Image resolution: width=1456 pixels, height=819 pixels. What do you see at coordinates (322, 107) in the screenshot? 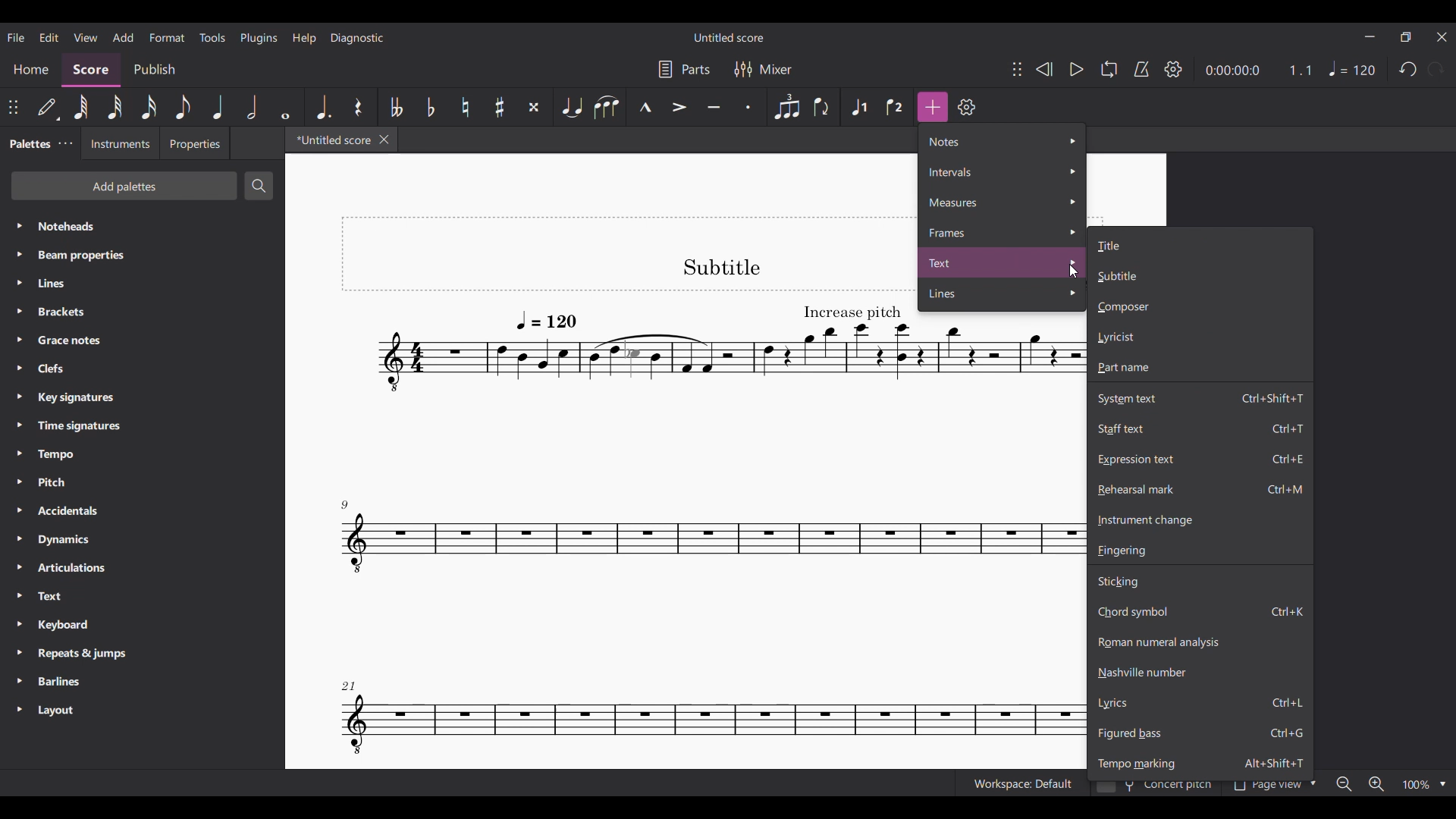
I see `Augmentation dot` at bounding box center [322, 107].